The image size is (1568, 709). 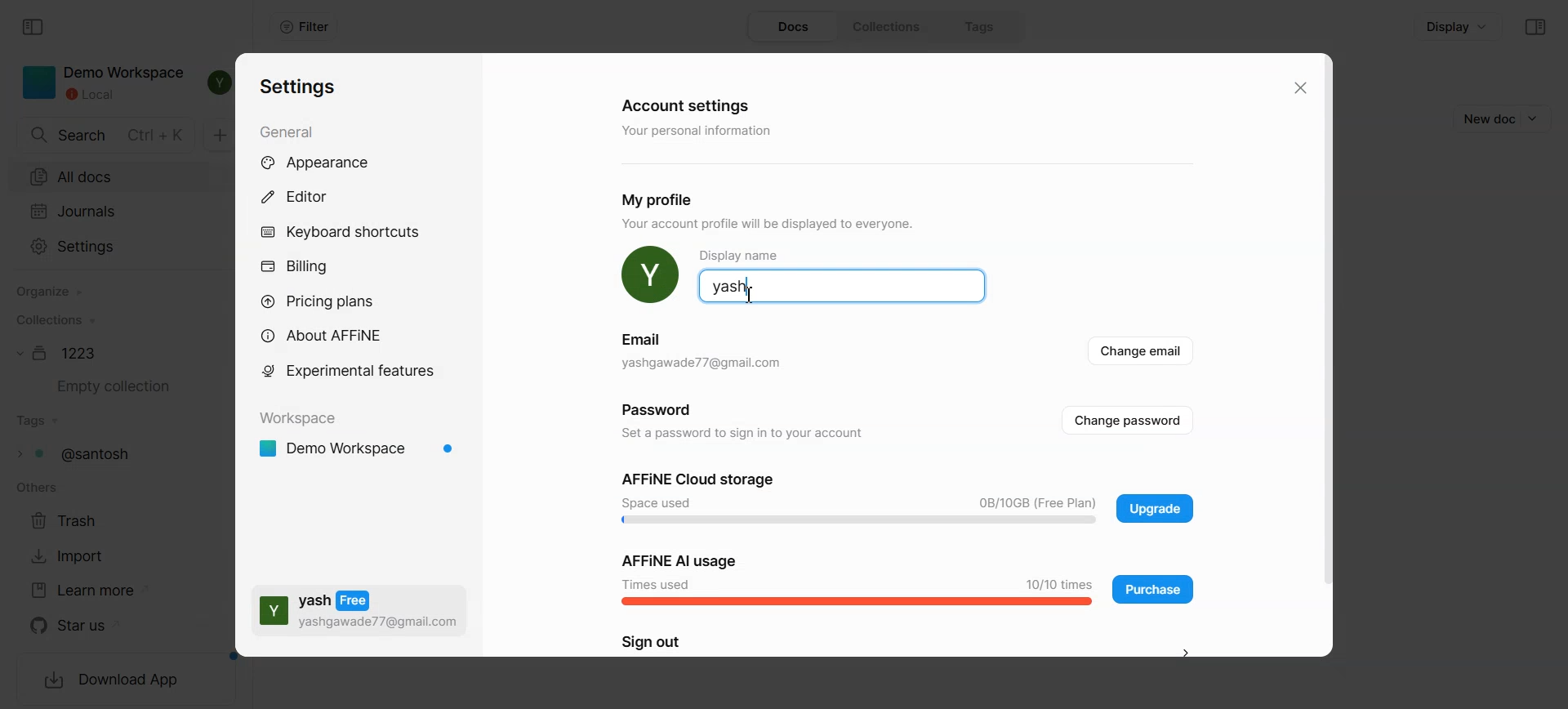 What do you see at coordinates (34, 28) in the screenshot?
I see `Collapse sidebar` at bounding box center [34, 28].